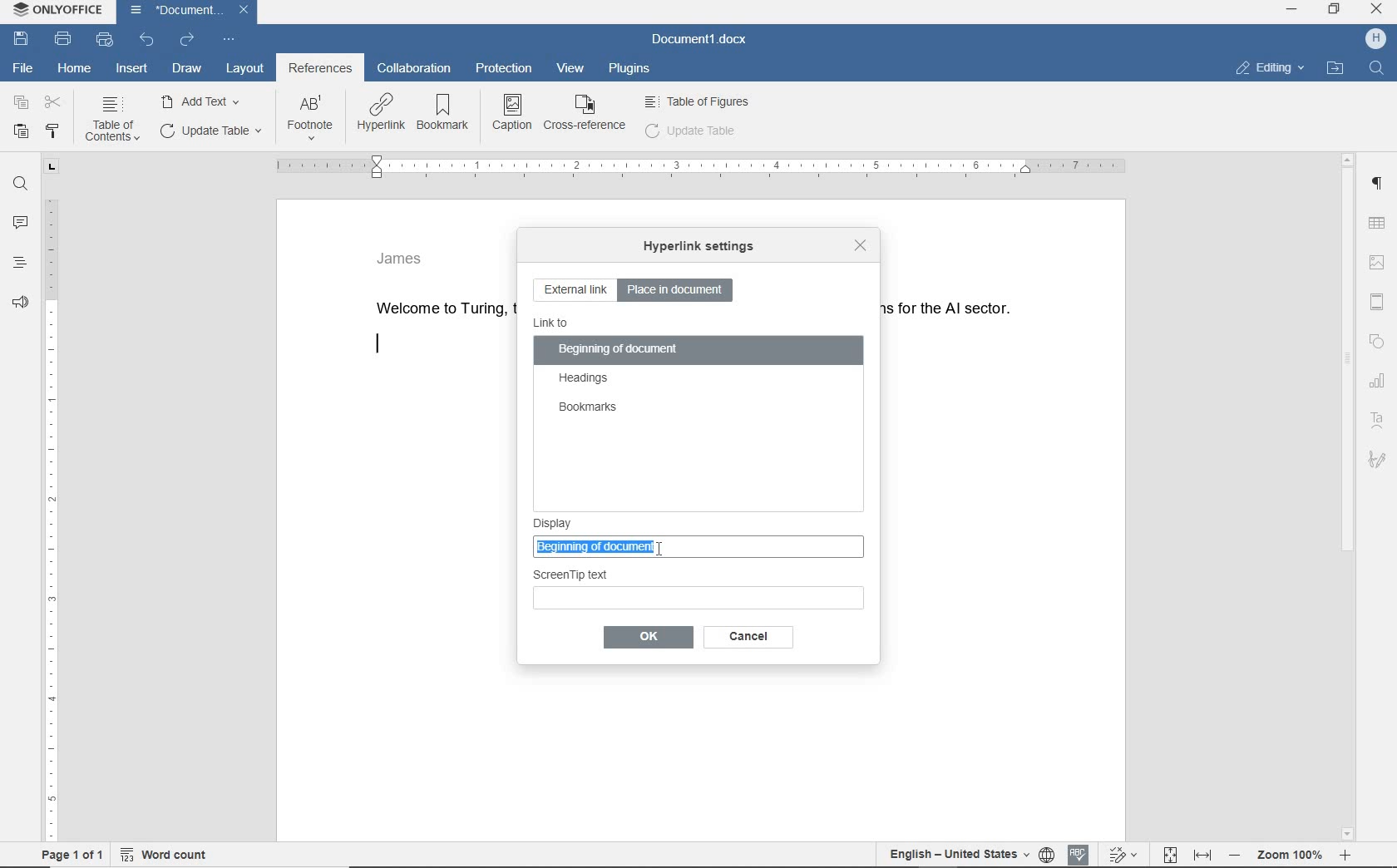 Image resolution: width=1397 pixels, height=868 pixels. What do you see at coordinates (698, 100) in the screenshot?
I see `Table of figures` at bounding box center [698, 100].